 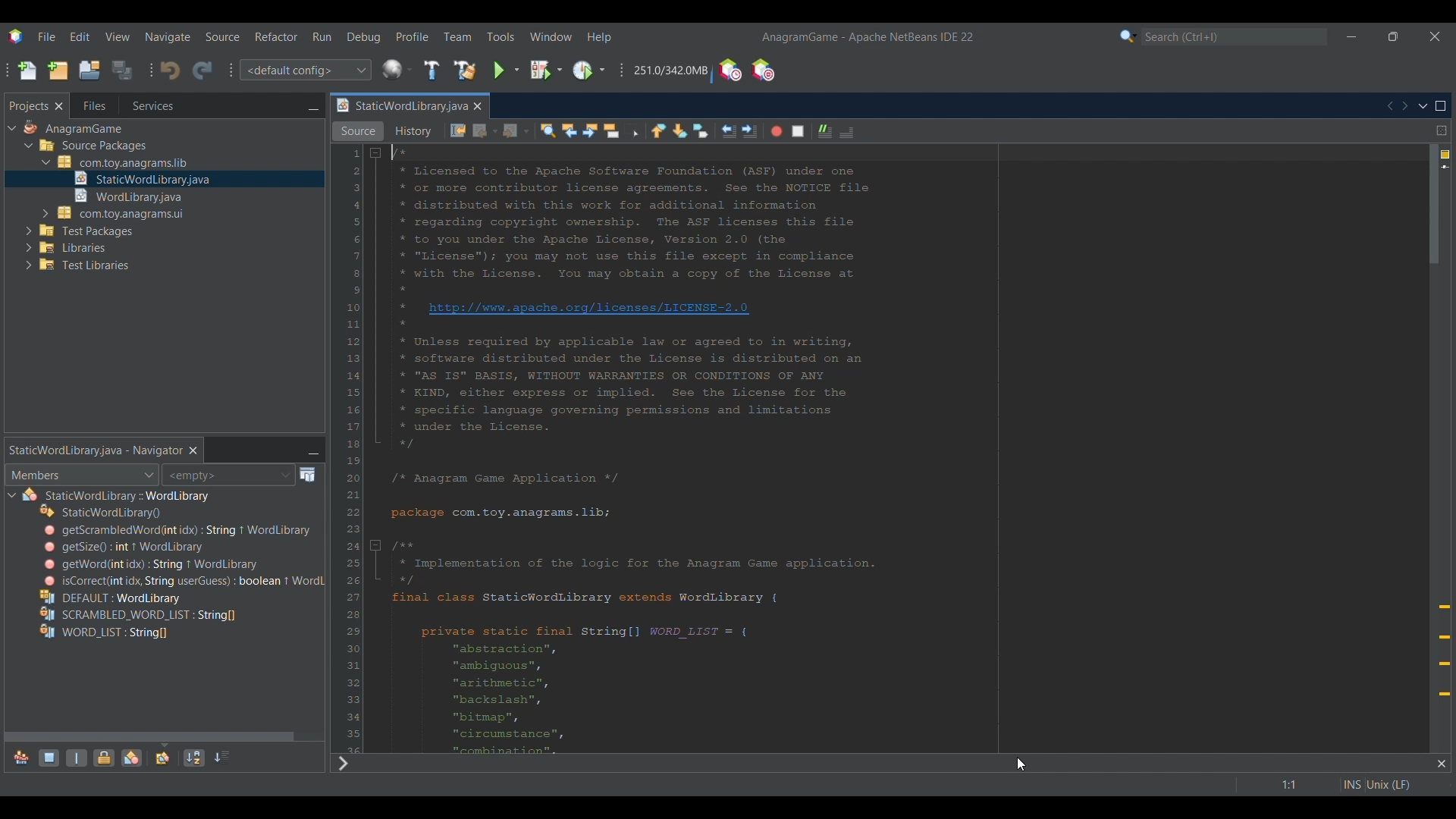 What do you see at coordinates (149, 737) in the screenshot?
I see `Horizontal slide bar` at bounding box center [149, 737].